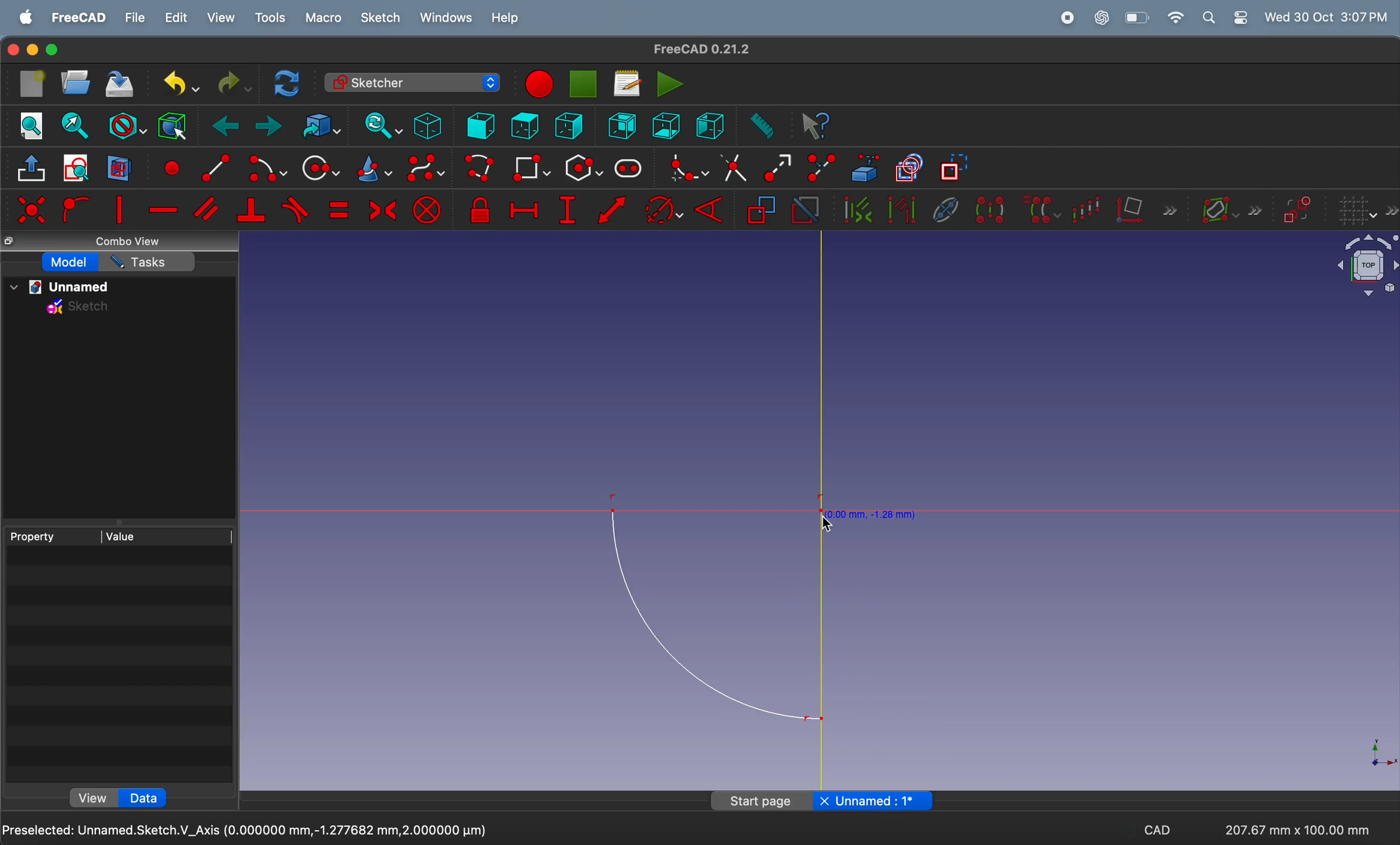 This screenshot has width=1400, height=845. What do you see at coordinates (381, 209) in the screenshot?
I see `constrain symmetrical` at bounding box center [381, 209].